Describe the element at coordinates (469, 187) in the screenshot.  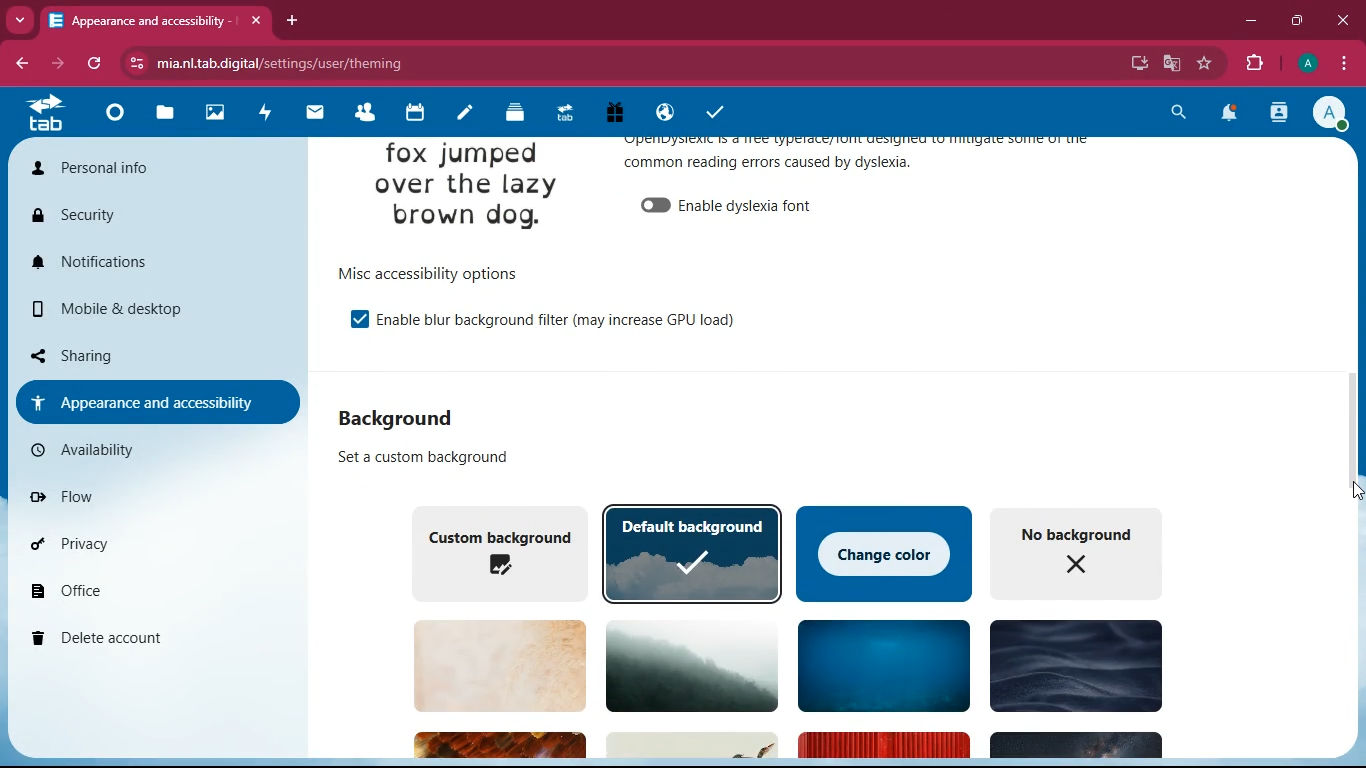
I see `image` at that location.